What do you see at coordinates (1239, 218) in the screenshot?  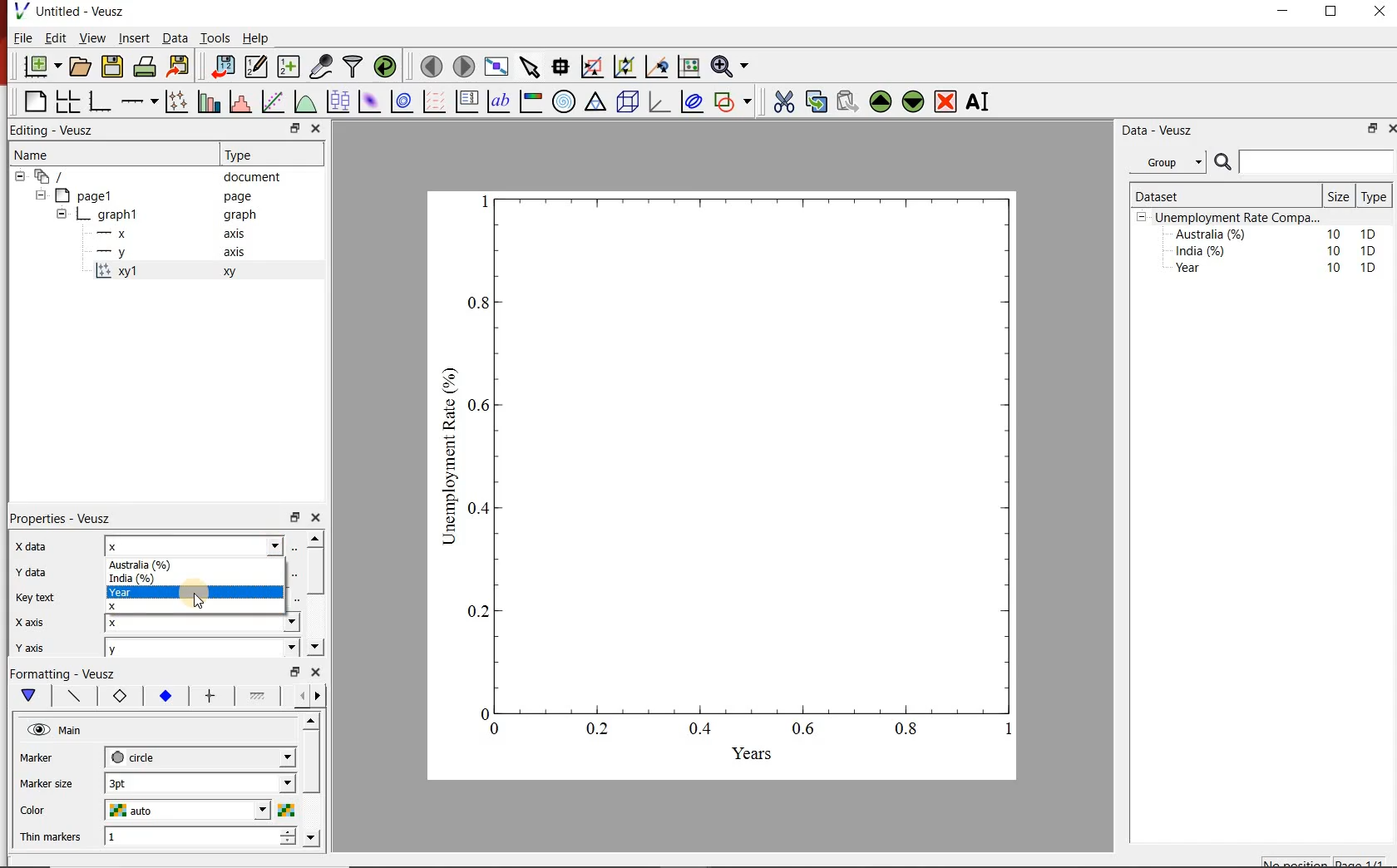 I see `Unemployment Rate Compa...` at bounding box center [1239, 218].